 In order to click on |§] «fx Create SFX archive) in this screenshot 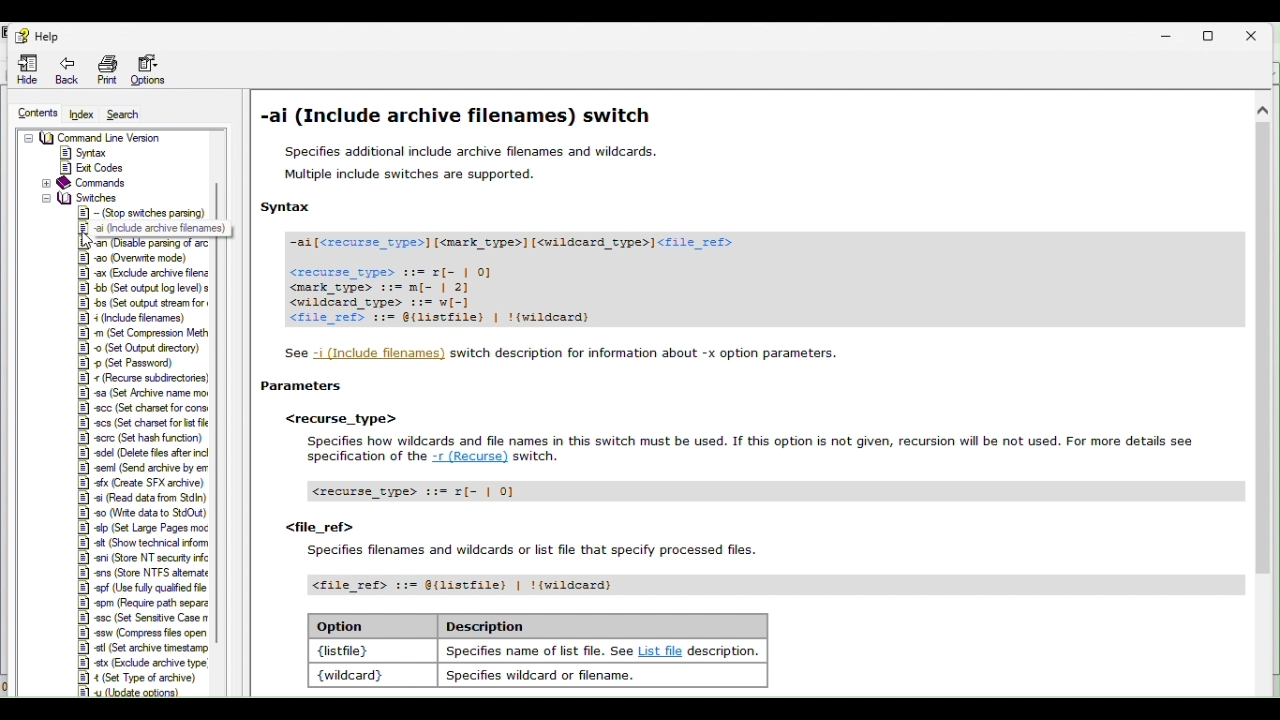, I will do `click(141, 484)`.